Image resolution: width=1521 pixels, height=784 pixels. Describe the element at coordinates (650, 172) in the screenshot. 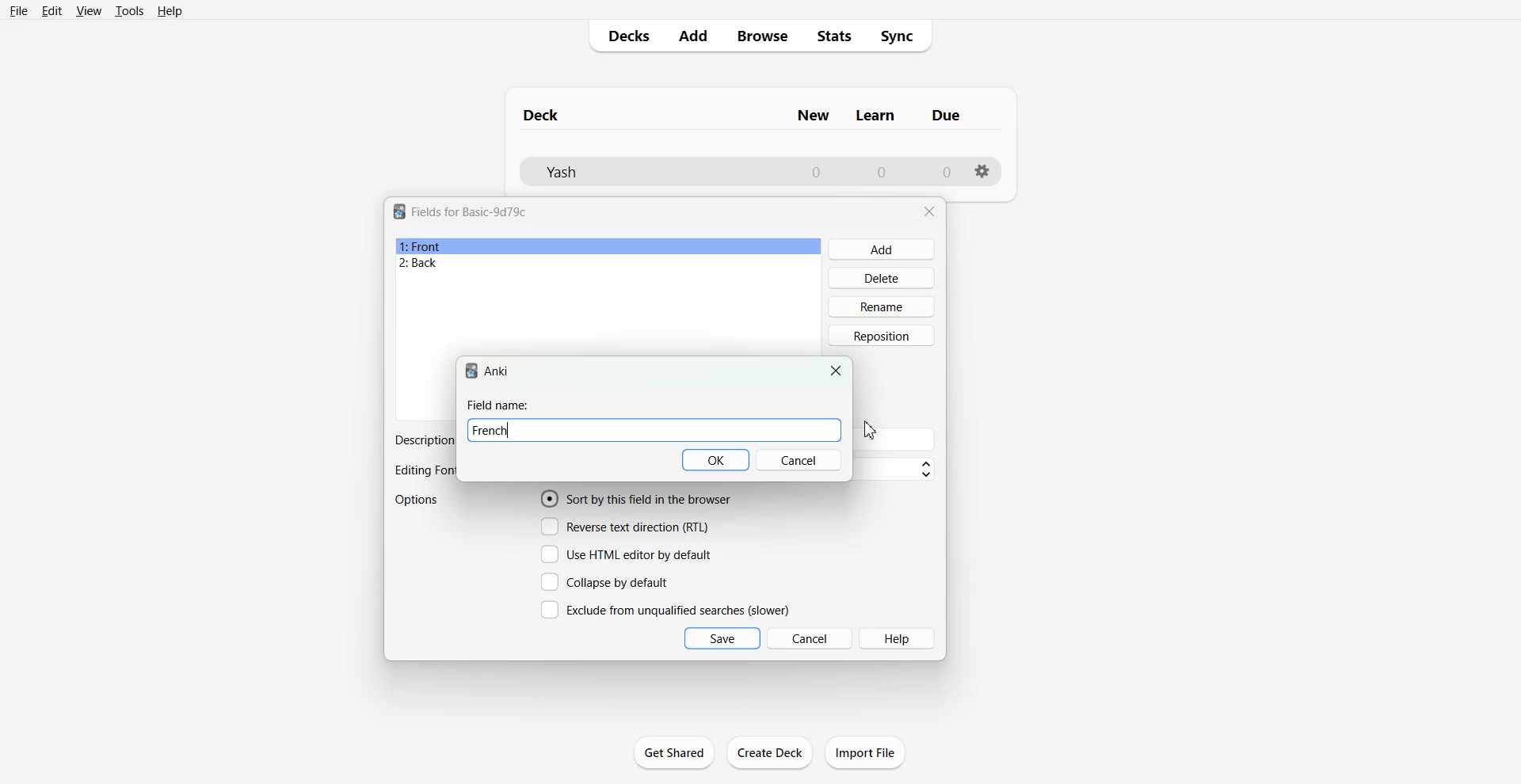

I see `Deck File` at that location.